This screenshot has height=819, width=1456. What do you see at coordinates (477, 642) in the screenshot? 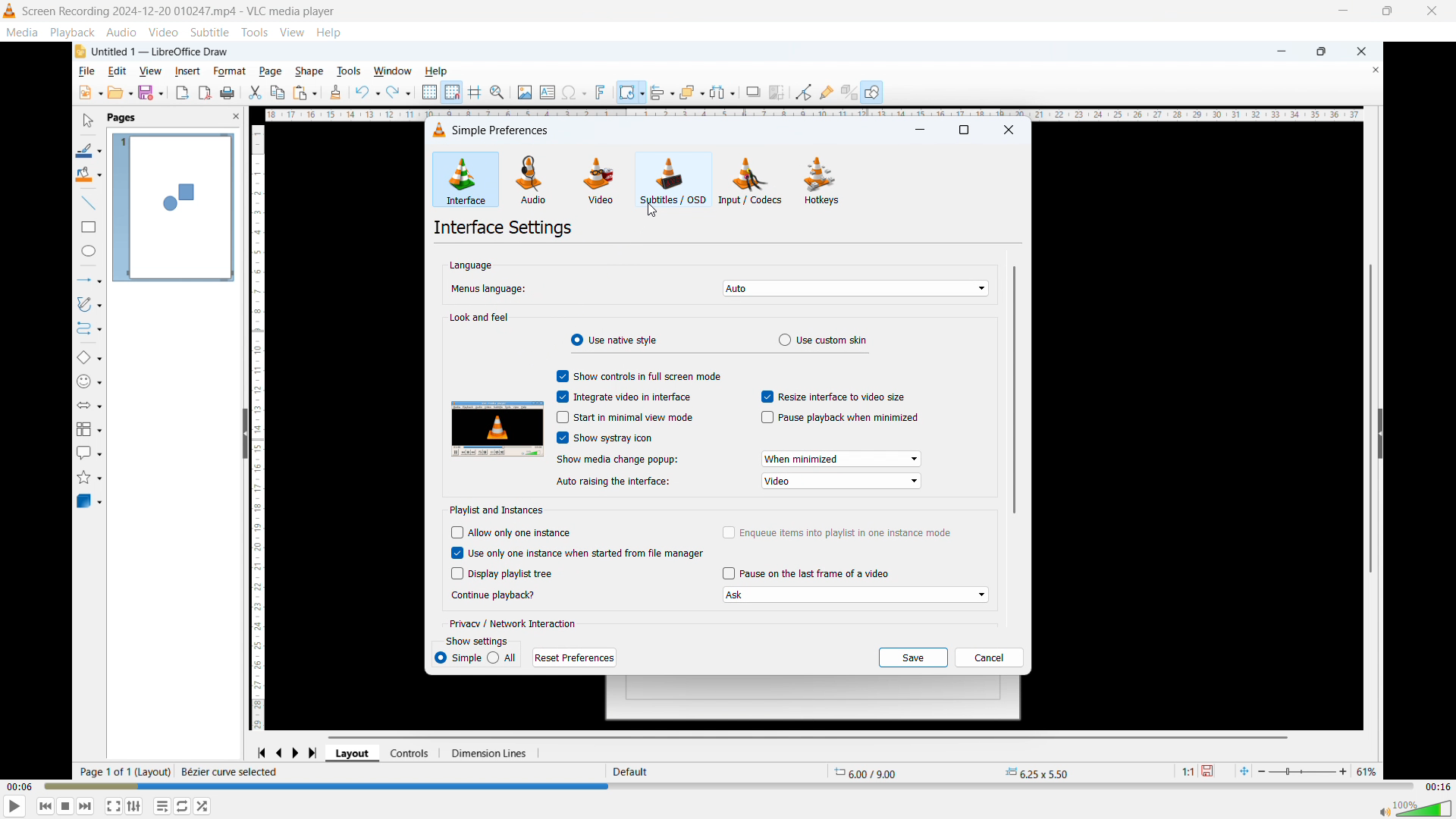
I see `Show settings` at bounding box center [477, 642].